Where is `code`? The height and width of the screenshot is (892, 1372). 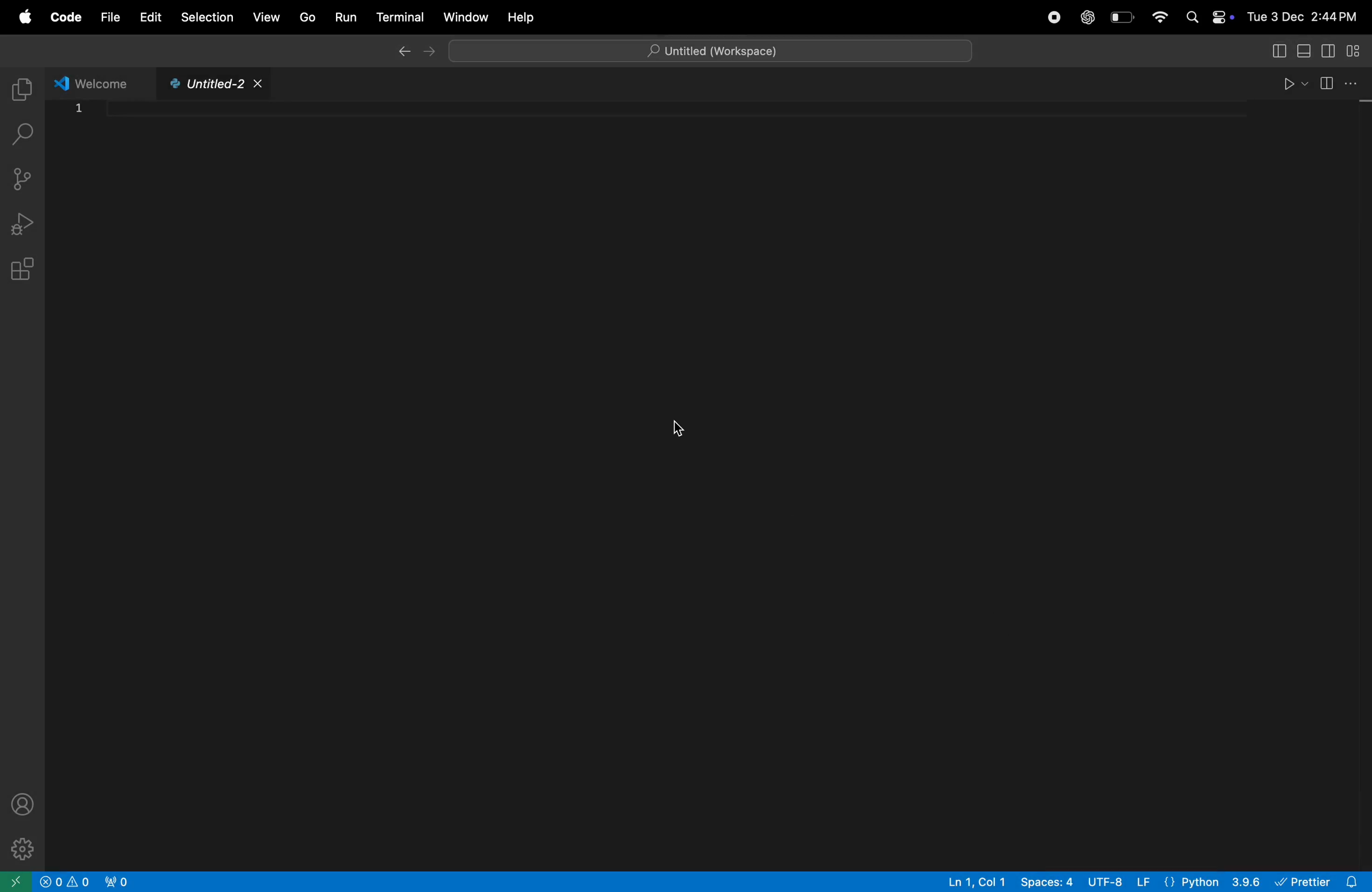 code is located at coordinates (67, 16).